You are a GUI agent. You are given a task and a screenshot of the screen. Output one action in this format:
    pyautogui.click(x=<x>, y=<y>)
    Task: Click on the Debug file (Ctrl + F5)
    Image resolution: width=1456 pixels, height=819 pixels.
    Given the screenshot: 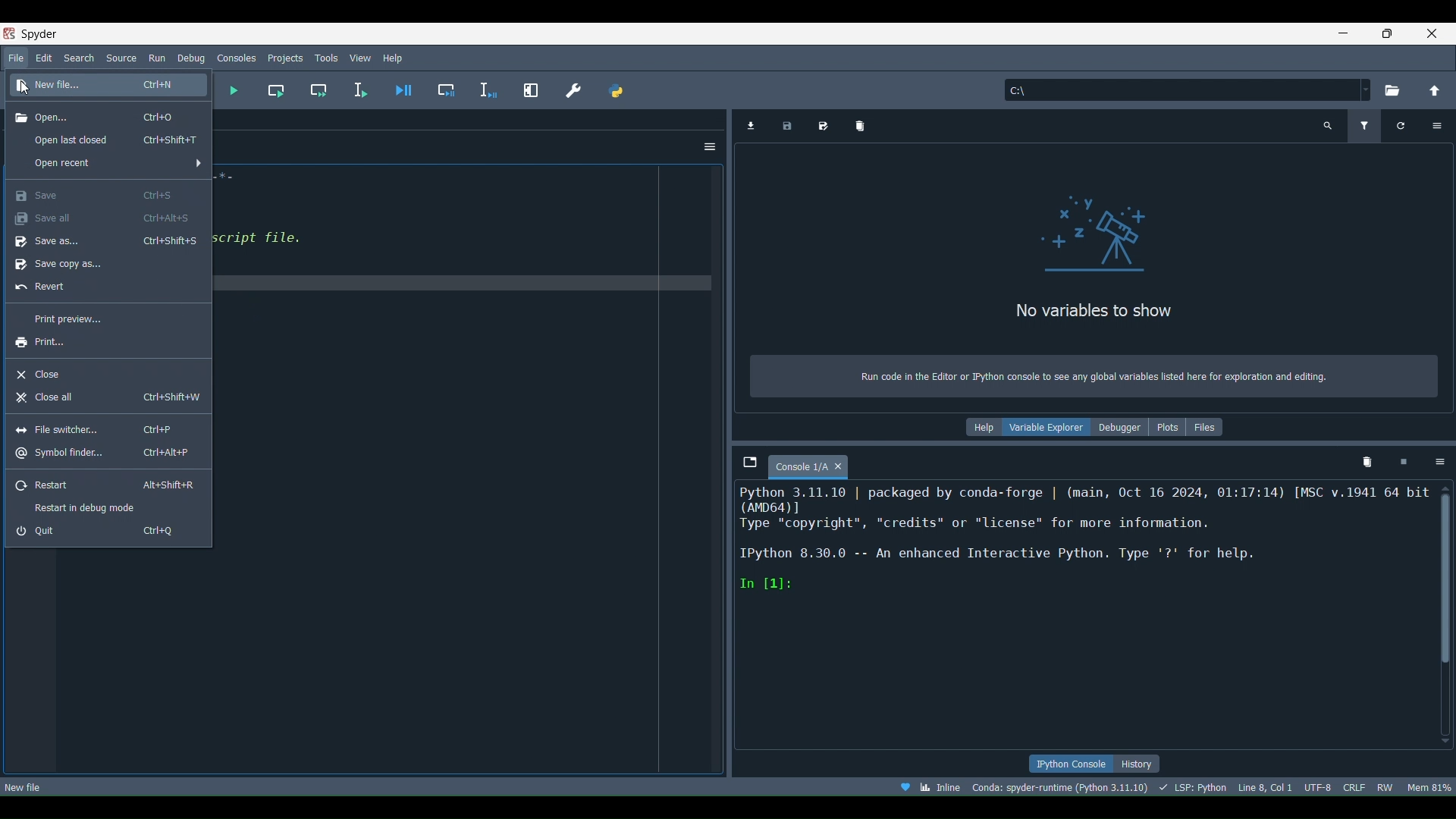 What is the action you would take?
    pyautogui.click(x=397, y=90)
    